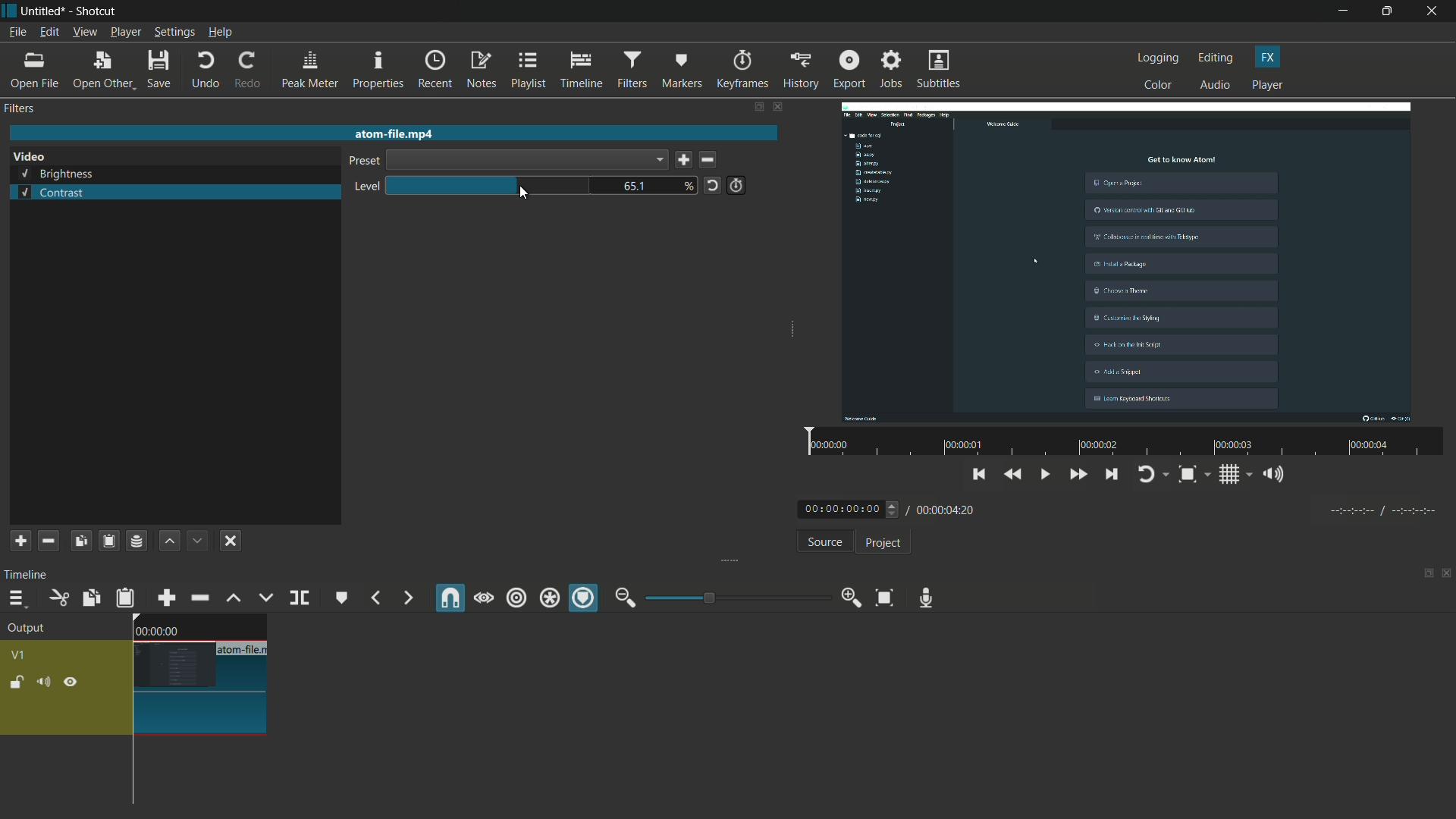 The width and height of the screenshot is (1456, 819). I want to click on quickly play forward, so click(1079, 476).